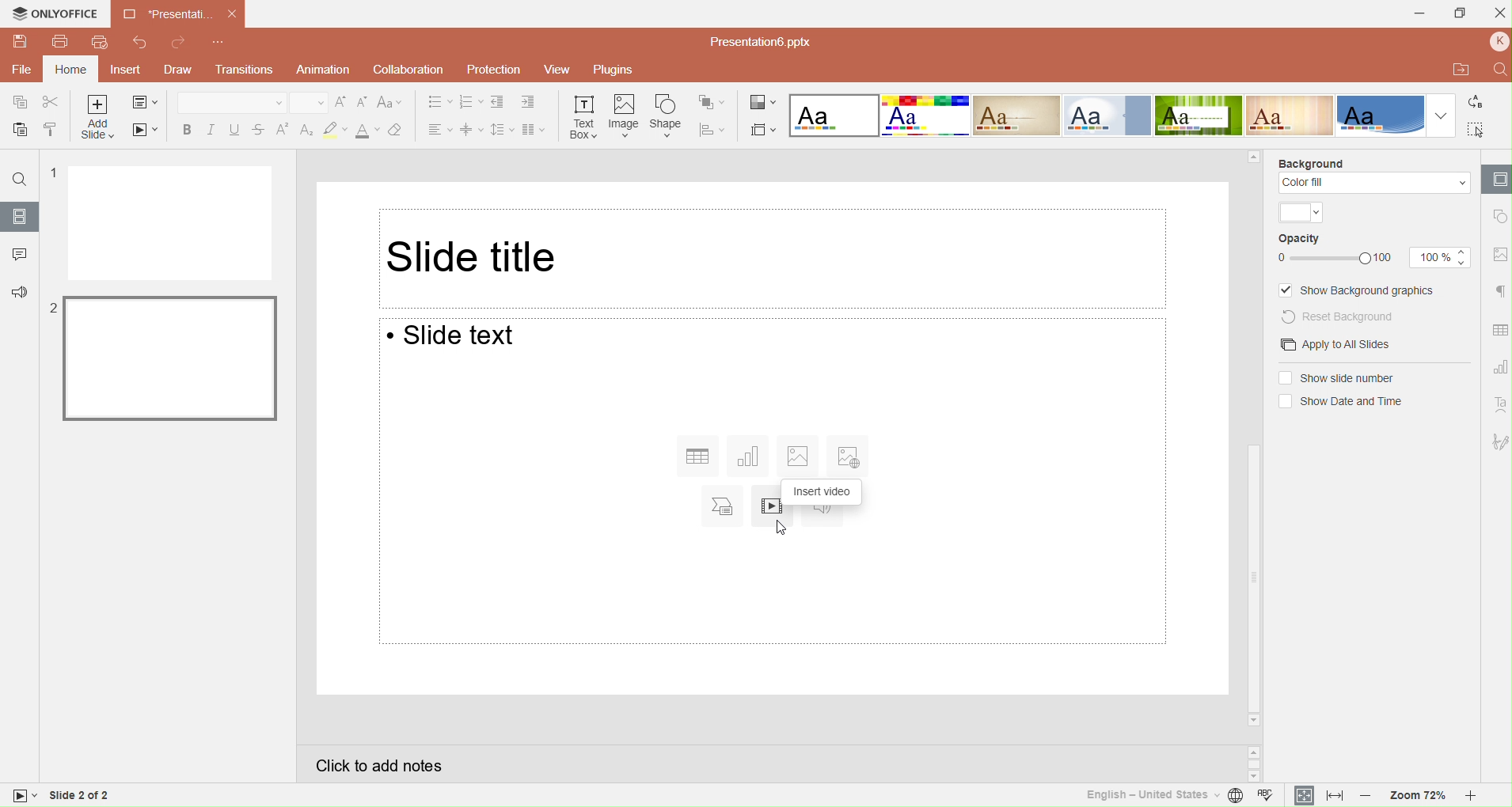 The image size is (1512, 807). What do you see at coordinates (20, 796) in the screenshot?
I see `slide view mode` at bounding box center [20, 796].